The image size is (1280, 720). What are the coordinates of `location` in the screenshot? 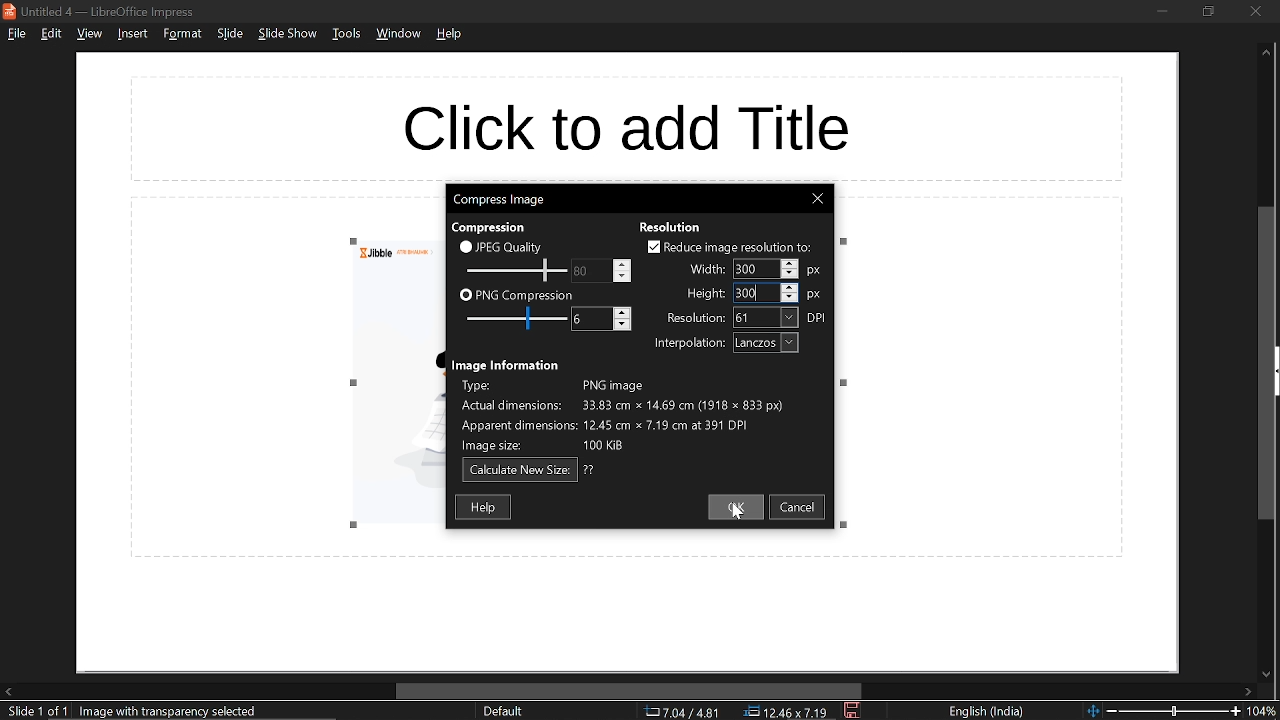 It's located at (789, 712).